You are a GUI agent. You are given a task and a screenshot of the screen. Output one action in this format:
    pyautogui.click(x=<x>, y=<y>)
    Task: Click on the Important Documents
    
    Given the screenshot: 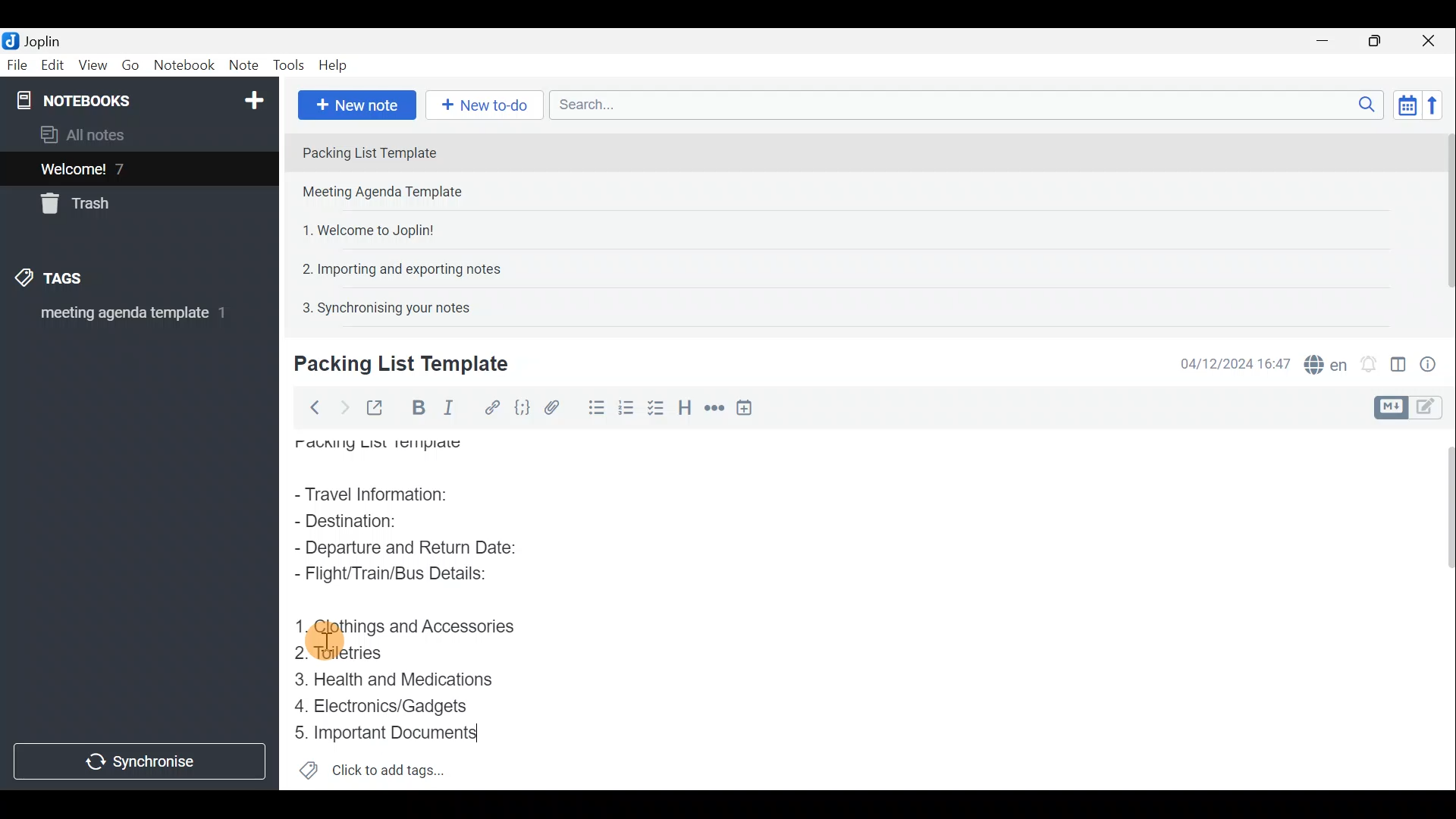 What is the action you would take?
    pyautogui.click(x=392, y=734)
    